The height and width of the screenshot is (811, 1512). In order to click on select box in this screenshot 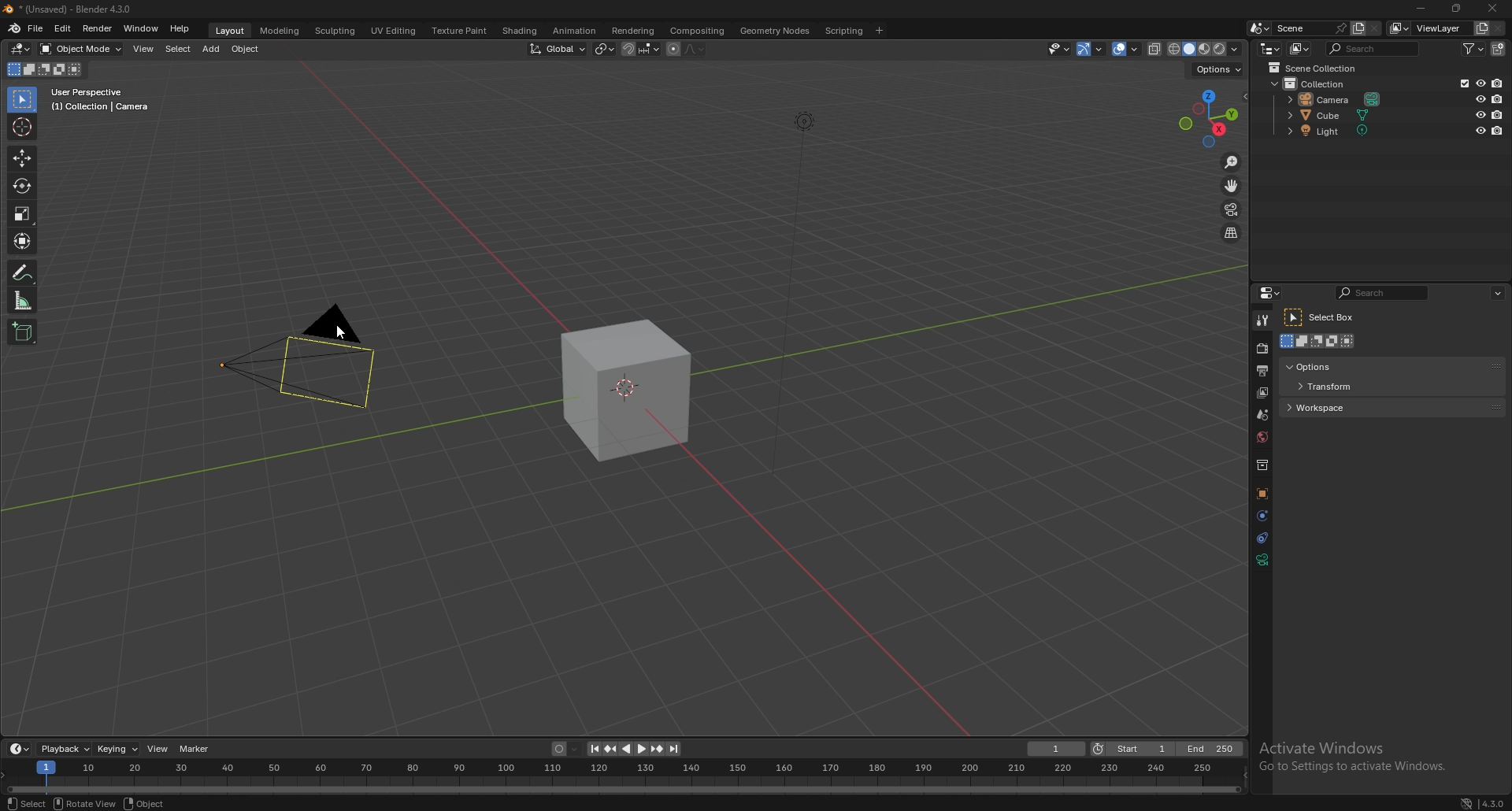, I will do `click(1322, 317)`.